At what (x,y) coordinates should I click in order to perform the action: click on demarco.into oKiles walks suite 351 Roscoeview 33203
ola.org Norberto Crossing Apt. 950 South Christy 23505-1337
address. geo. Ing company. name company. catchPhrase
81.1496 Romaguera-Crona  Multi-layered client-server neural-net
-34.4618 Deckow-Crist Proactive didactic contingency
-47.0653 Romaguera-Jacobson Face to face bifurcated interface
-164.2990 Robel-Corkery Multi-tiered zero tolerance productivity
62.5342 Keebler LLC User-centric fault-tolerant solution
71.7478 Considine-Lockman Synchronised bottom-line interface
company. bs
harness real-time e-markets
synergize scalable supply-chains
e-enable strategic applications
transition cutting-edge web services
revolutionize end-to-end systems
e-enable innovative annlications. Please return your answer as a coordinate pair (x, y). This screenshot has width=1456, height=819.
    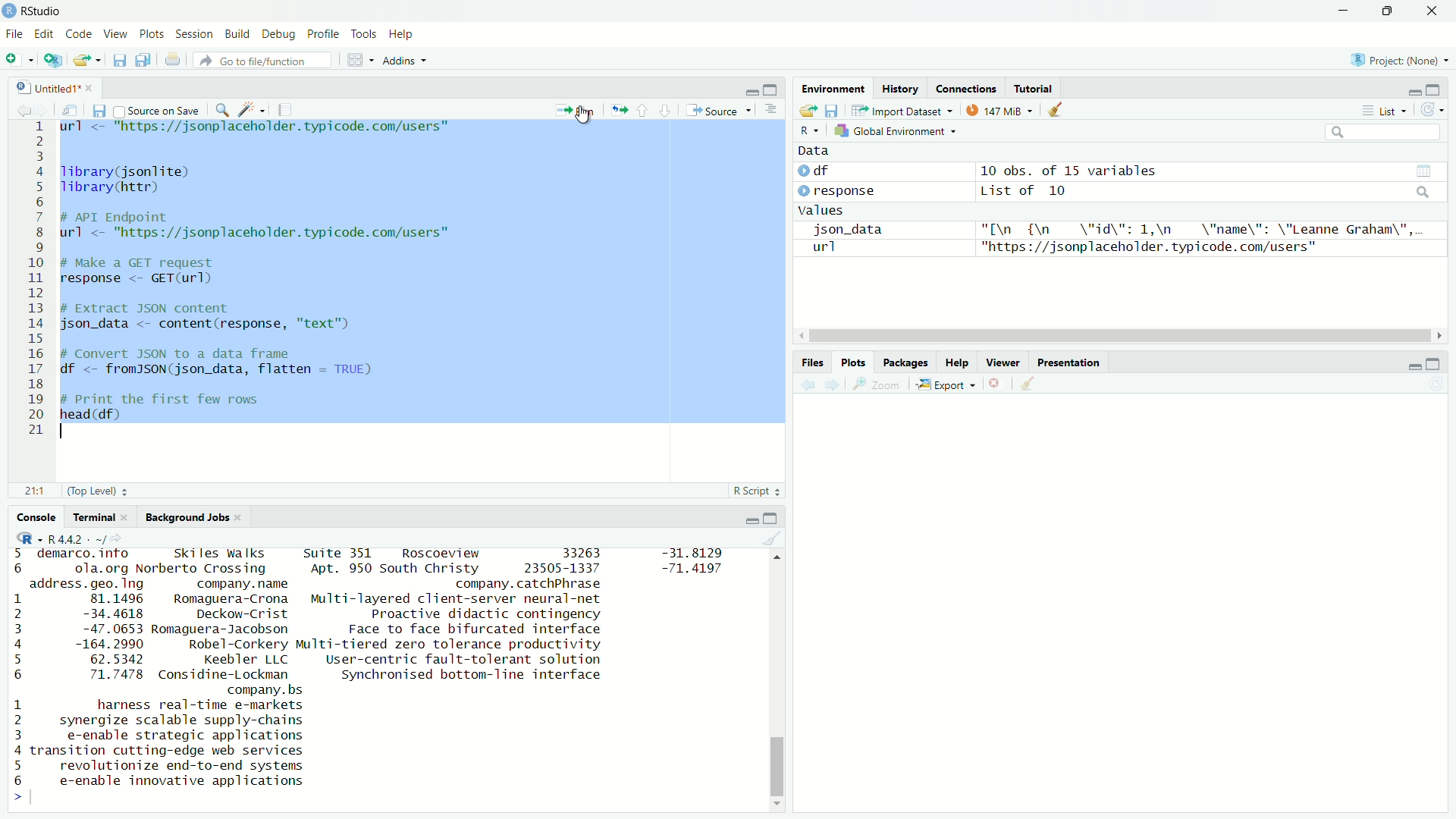
    Looking at the image, I should click on (322, 667).